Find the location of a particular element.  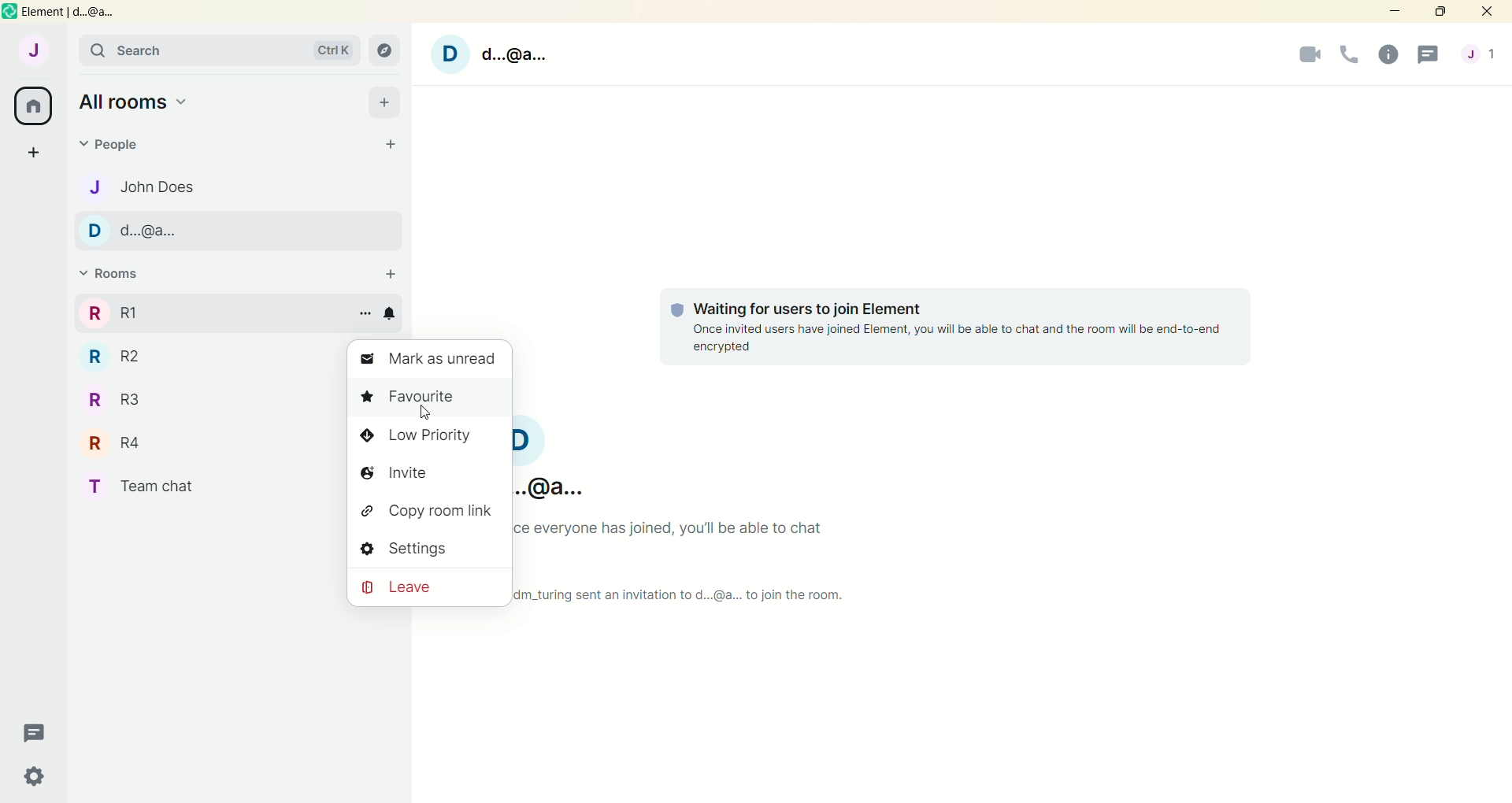

Element | d...@a... is located at coordinates (67, 13).